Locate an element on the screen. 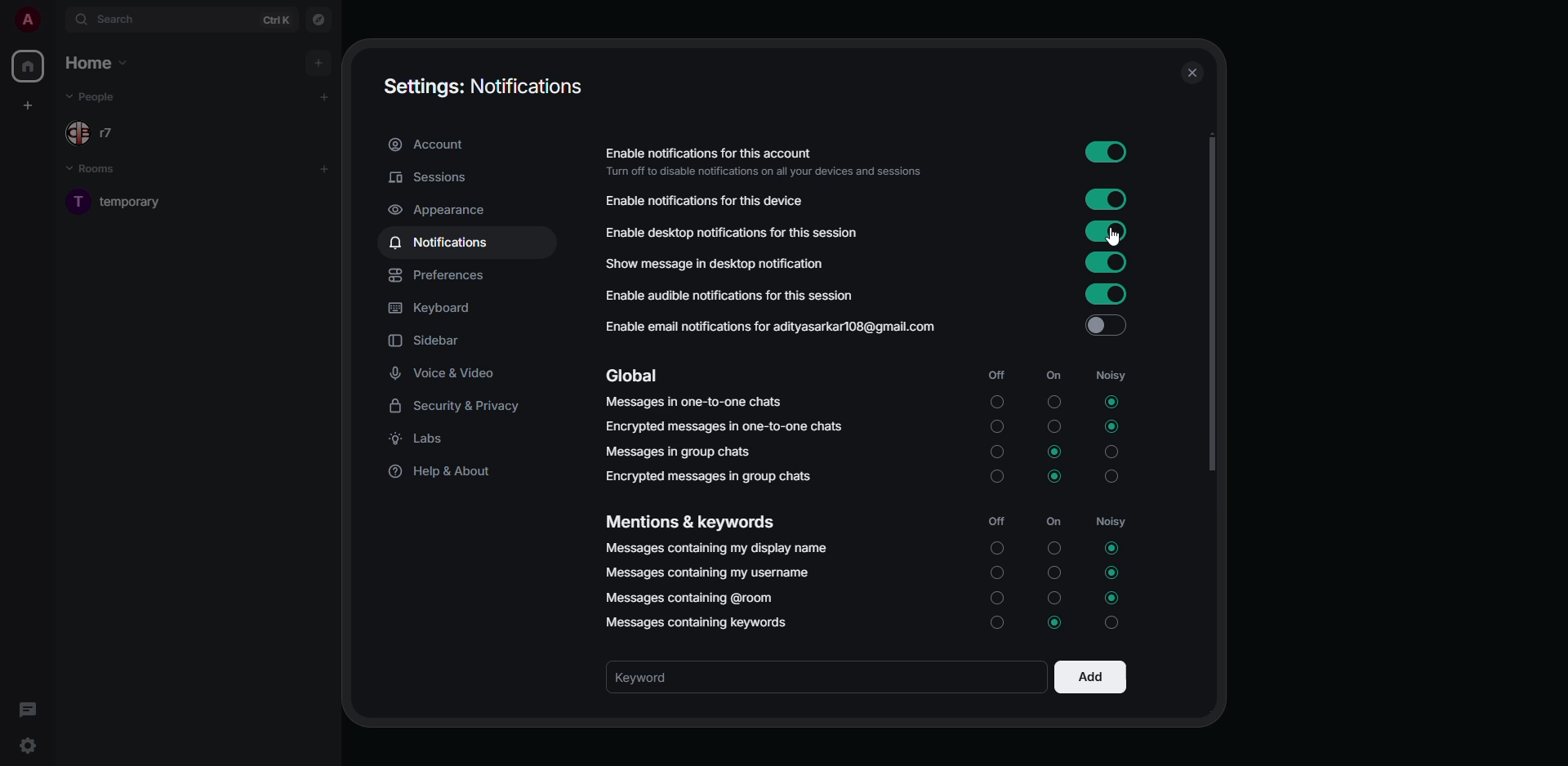 The image size is (1568, 766). selected is located at coordinates (1057, 622).